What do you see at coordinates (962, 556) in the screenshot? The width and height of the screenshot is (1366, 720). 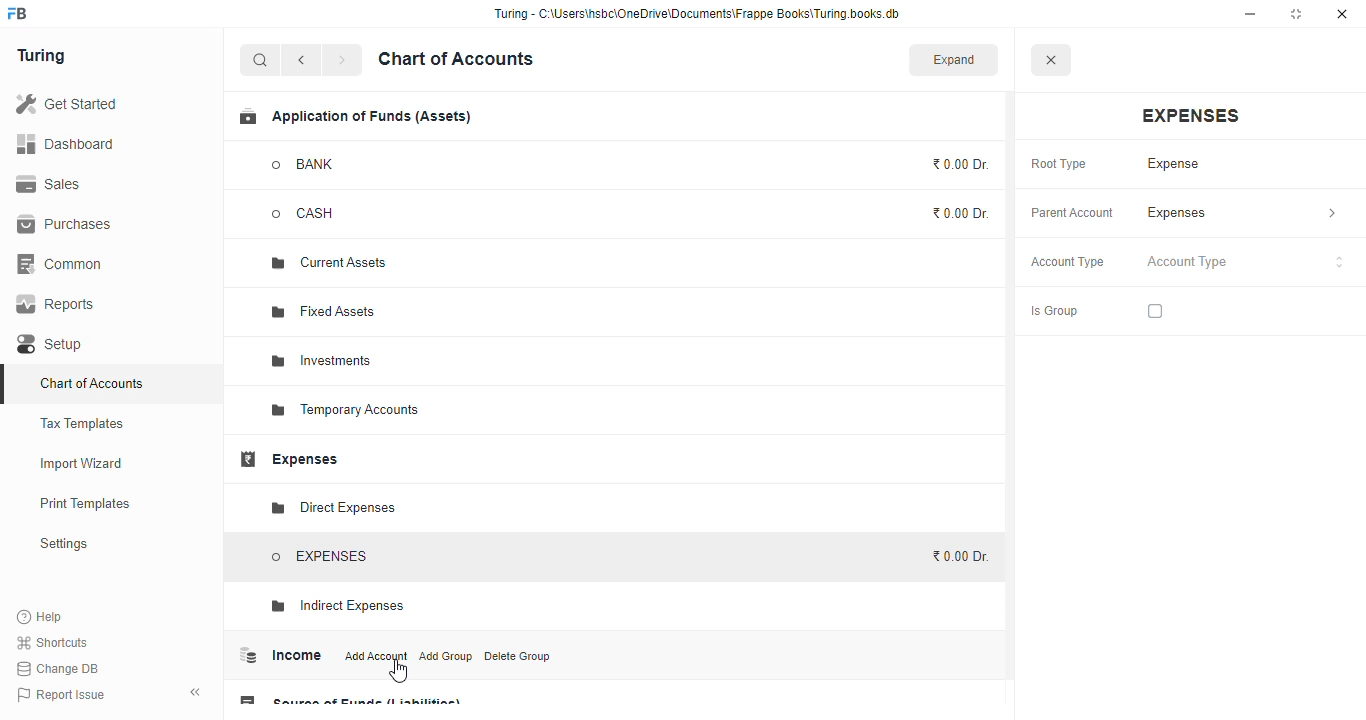 I see `₹0.00 Dr.` at bounding box center [962, 556].